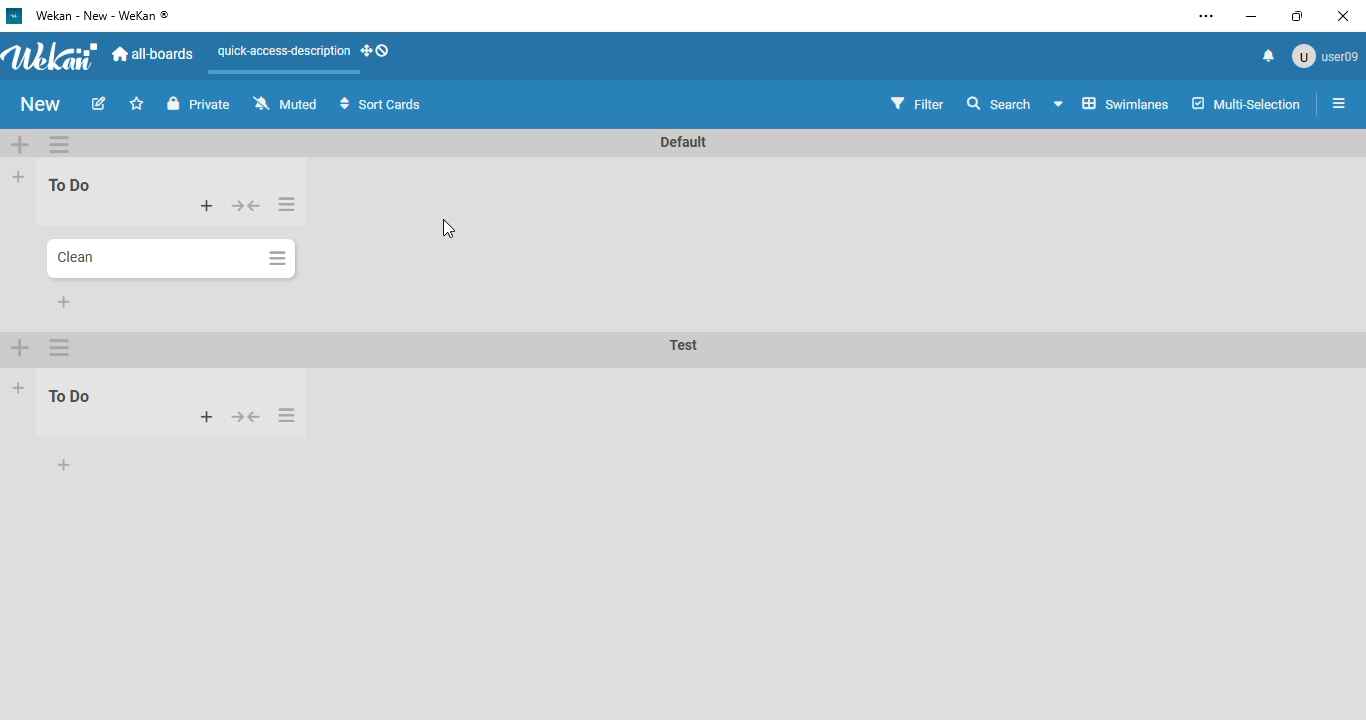 Image resolution: width=1366 pixels, height=720 pixels. I want to click on swimlane actions, so click(60, 349).